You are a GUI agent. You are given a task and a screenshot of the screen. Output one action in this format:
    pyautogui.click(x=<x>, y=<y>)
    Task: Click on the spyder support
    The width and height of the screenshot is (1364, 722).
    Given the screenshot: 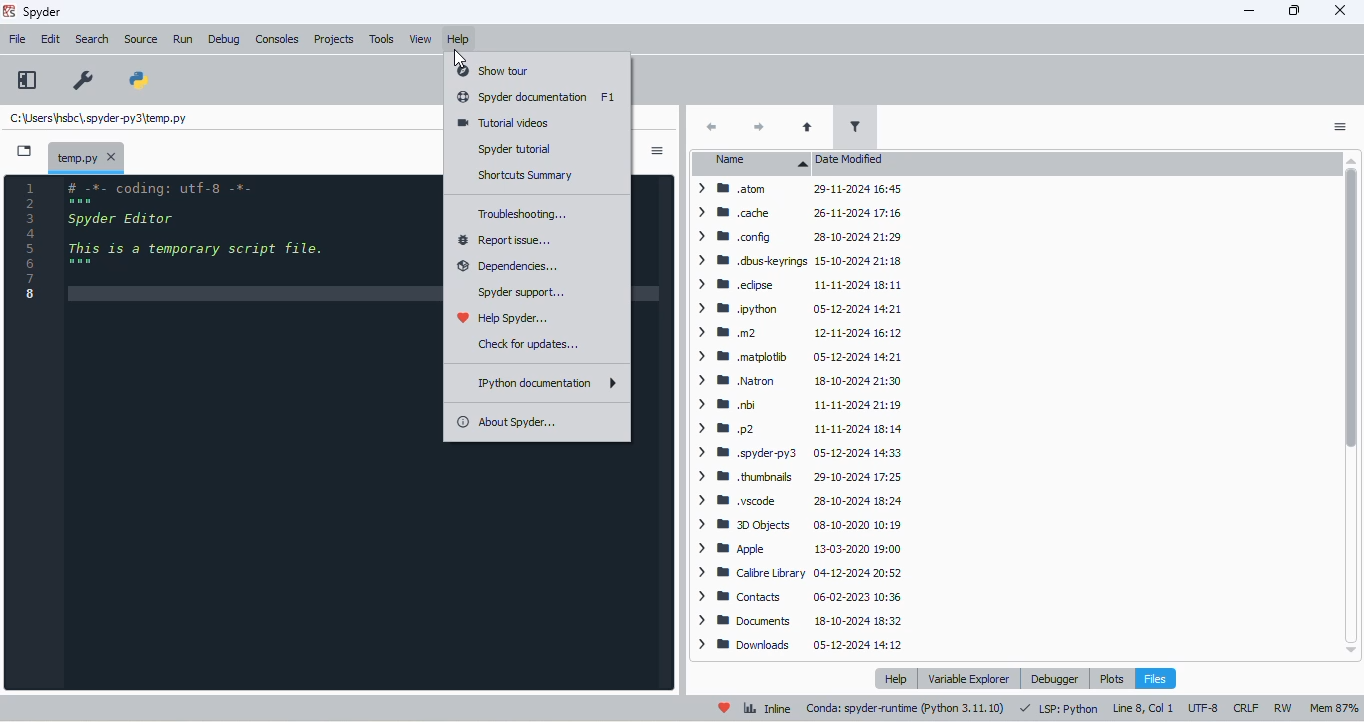 What is the action you would take?
    pyautogui.click(x=522, y=292)
    